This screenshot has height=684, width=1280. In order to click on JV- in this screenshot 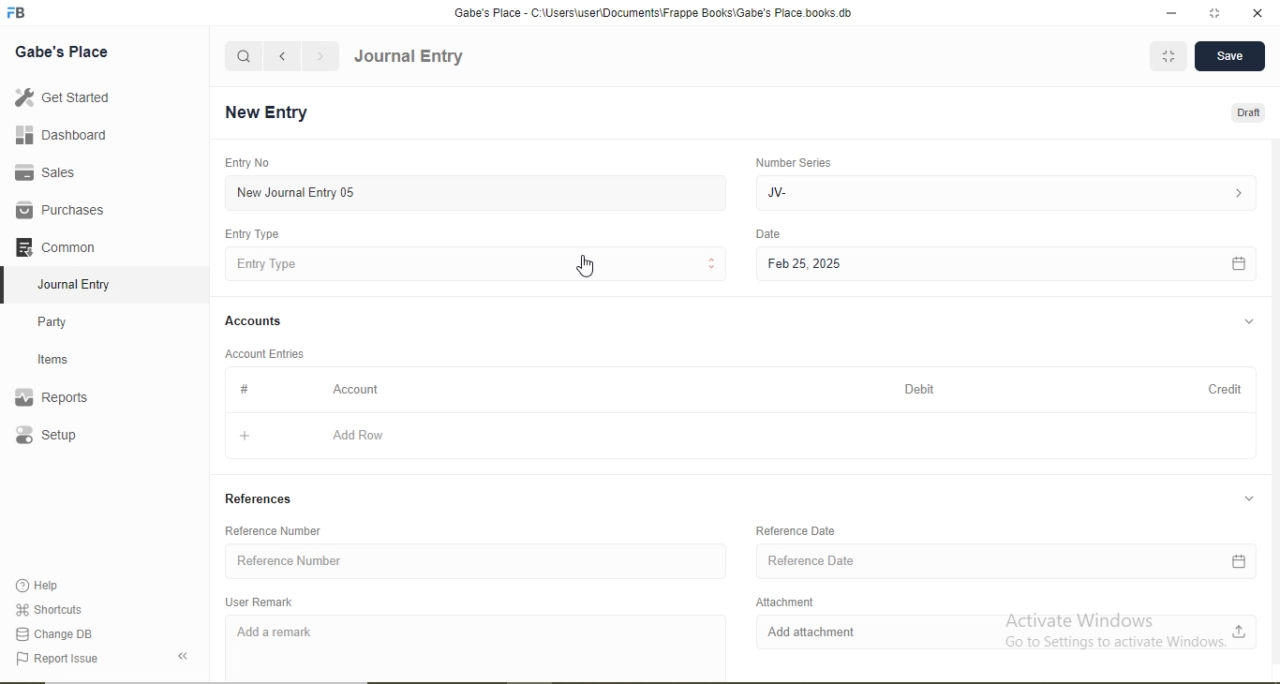, I will do `click(1003, 191)`.